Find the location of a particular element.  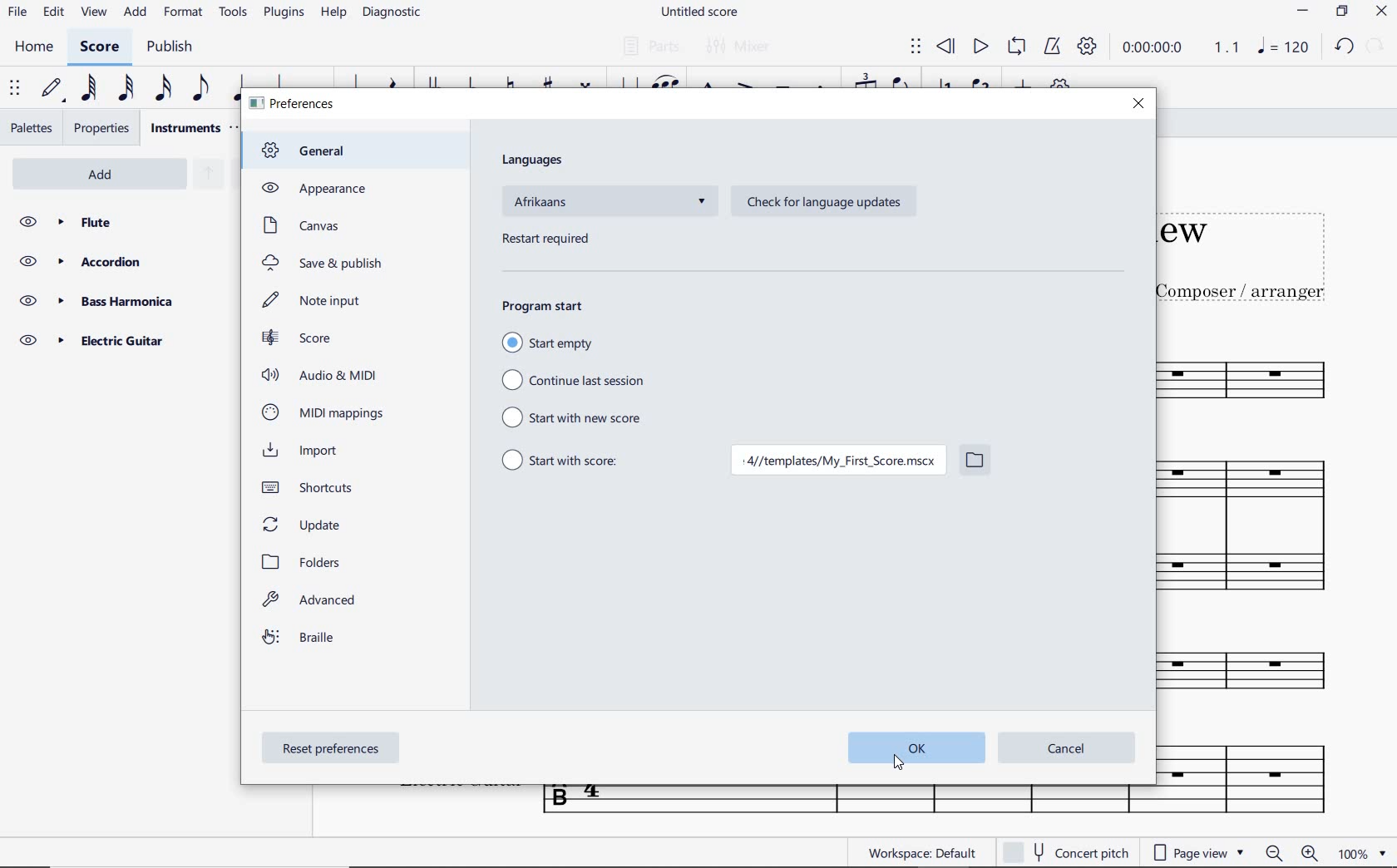

continue last session is located at coordinates (575, 378).